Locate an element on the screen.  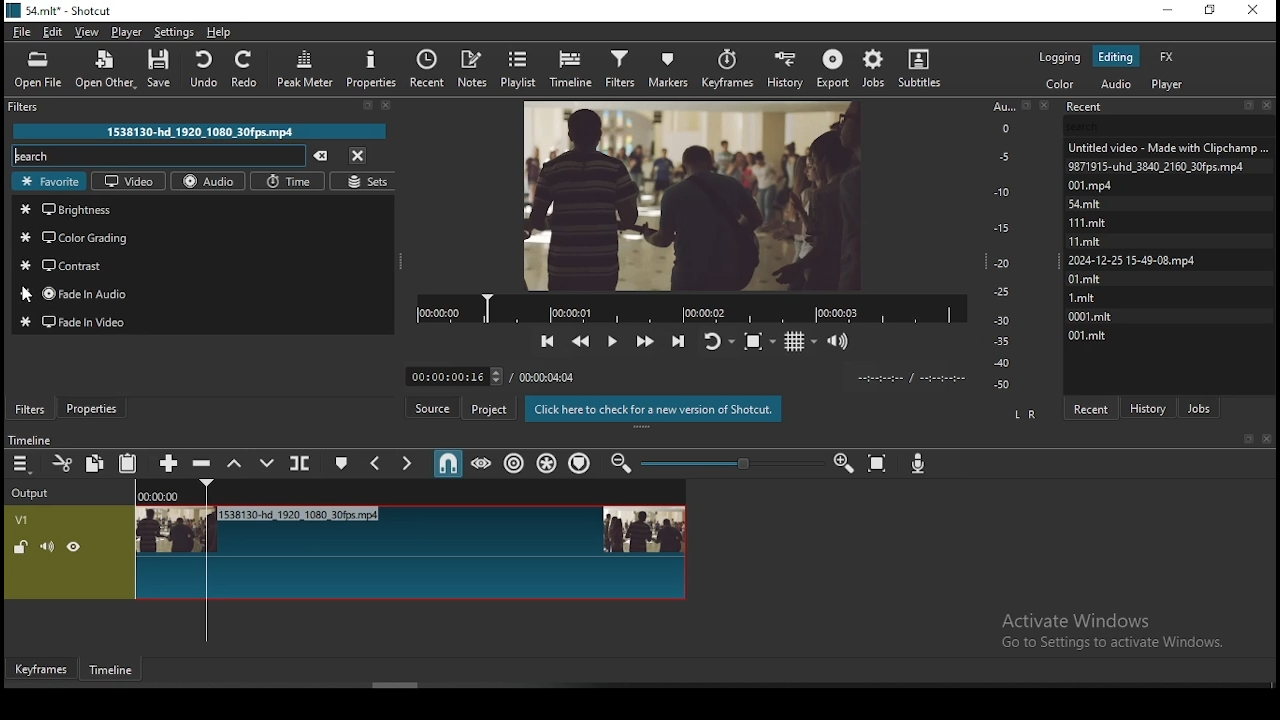
9871915-uhd_3840_2160_30fps.mp4 is located at coordinates (1158, 165).